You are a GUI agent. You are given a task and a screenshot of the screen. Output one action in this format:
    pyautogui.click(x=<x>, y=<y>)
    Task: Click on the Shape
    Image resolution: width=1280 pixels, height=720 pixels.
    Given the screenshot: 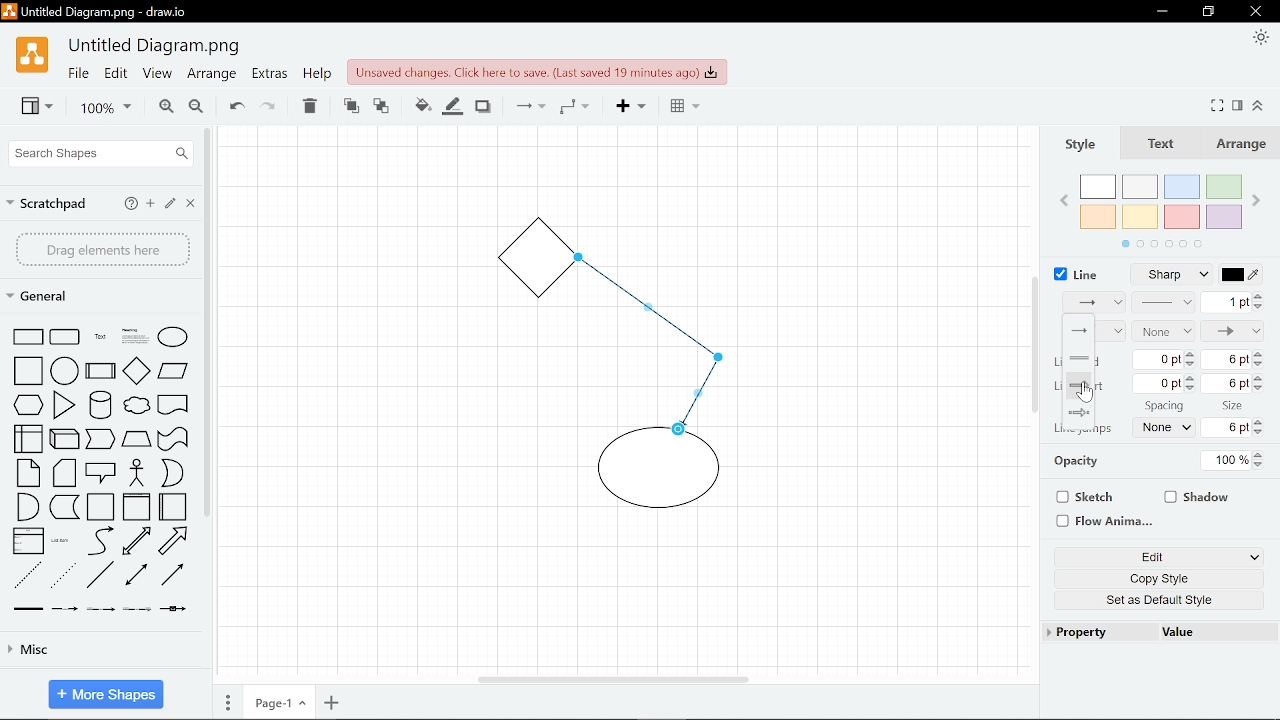 What is the action you would take?
    pyautogui.click(x=25, y=336)
    